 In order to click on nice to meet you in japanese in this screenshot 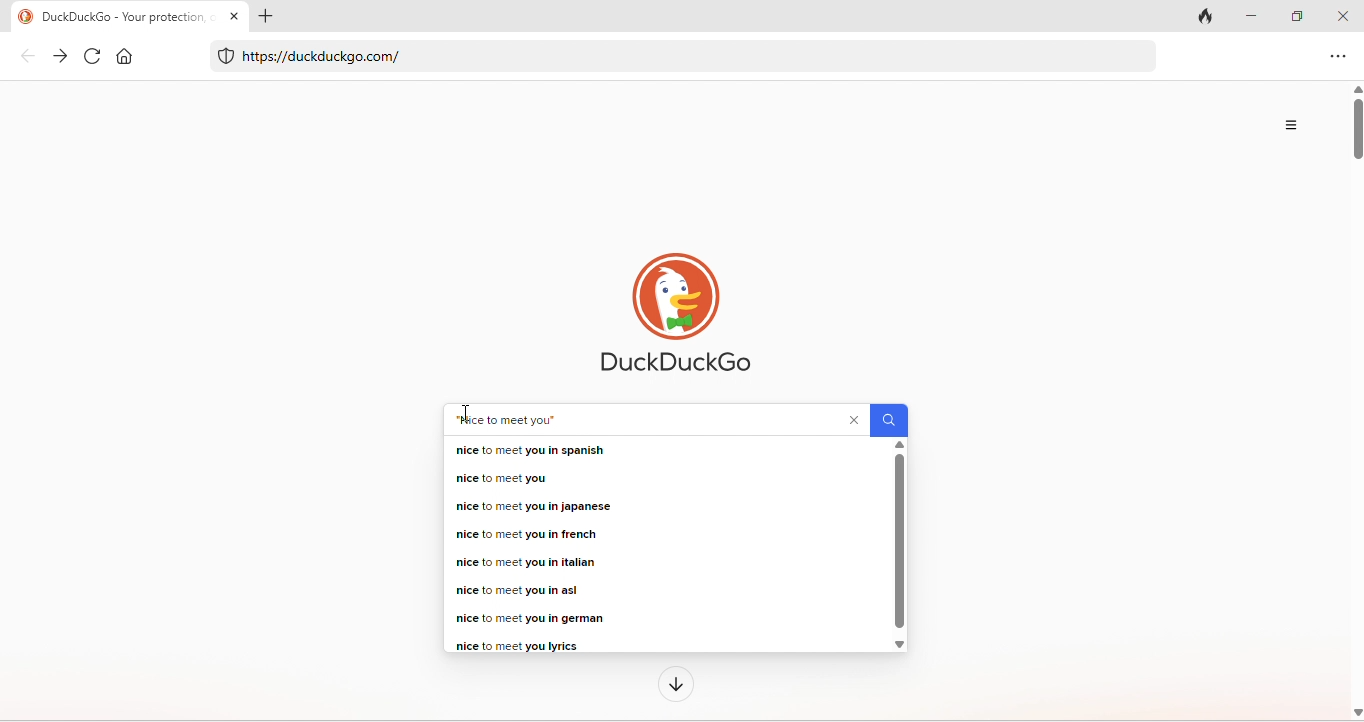, I will do `click(537, 506)`.